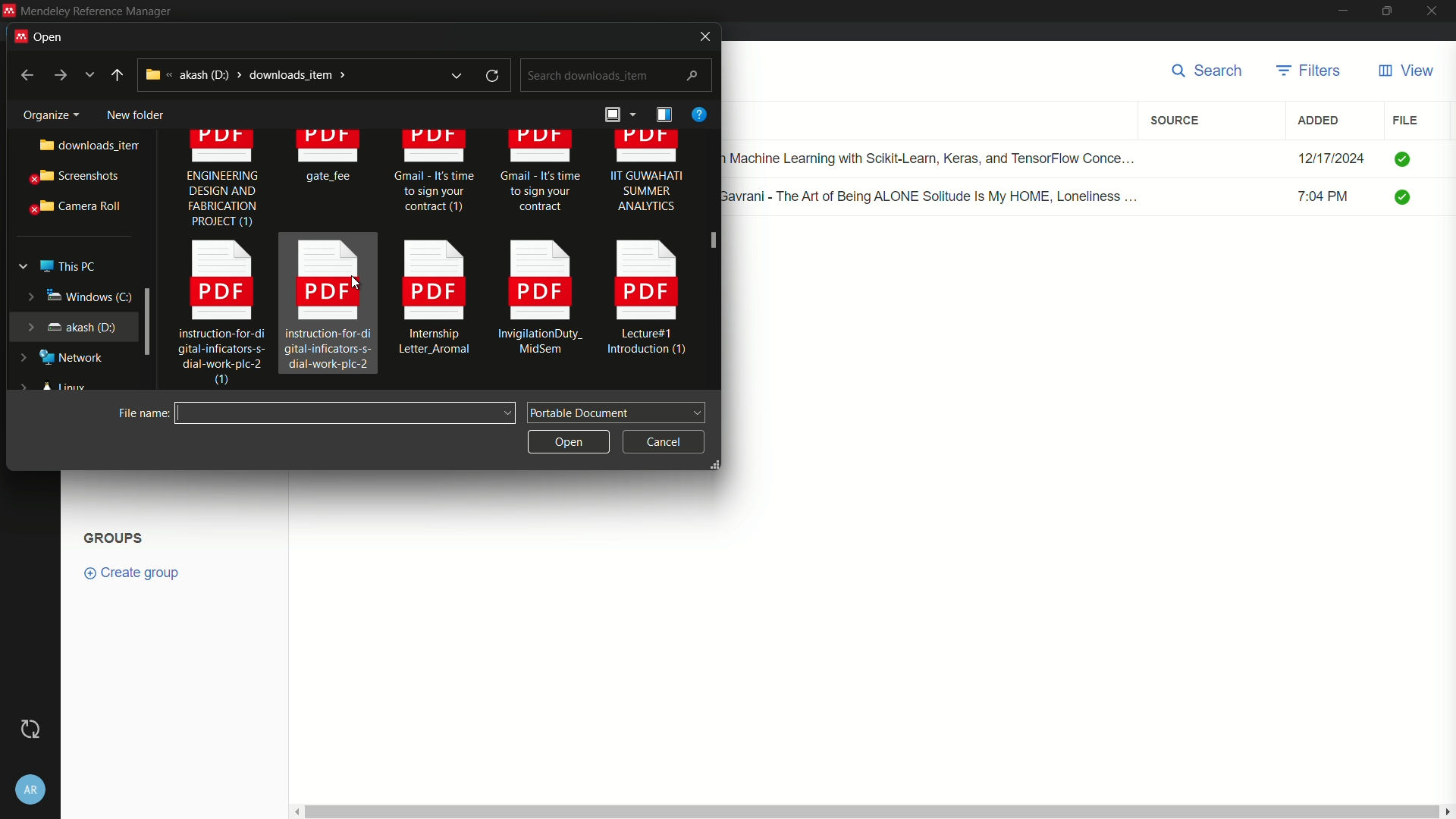  I want to click on back to, so click(22, 74).